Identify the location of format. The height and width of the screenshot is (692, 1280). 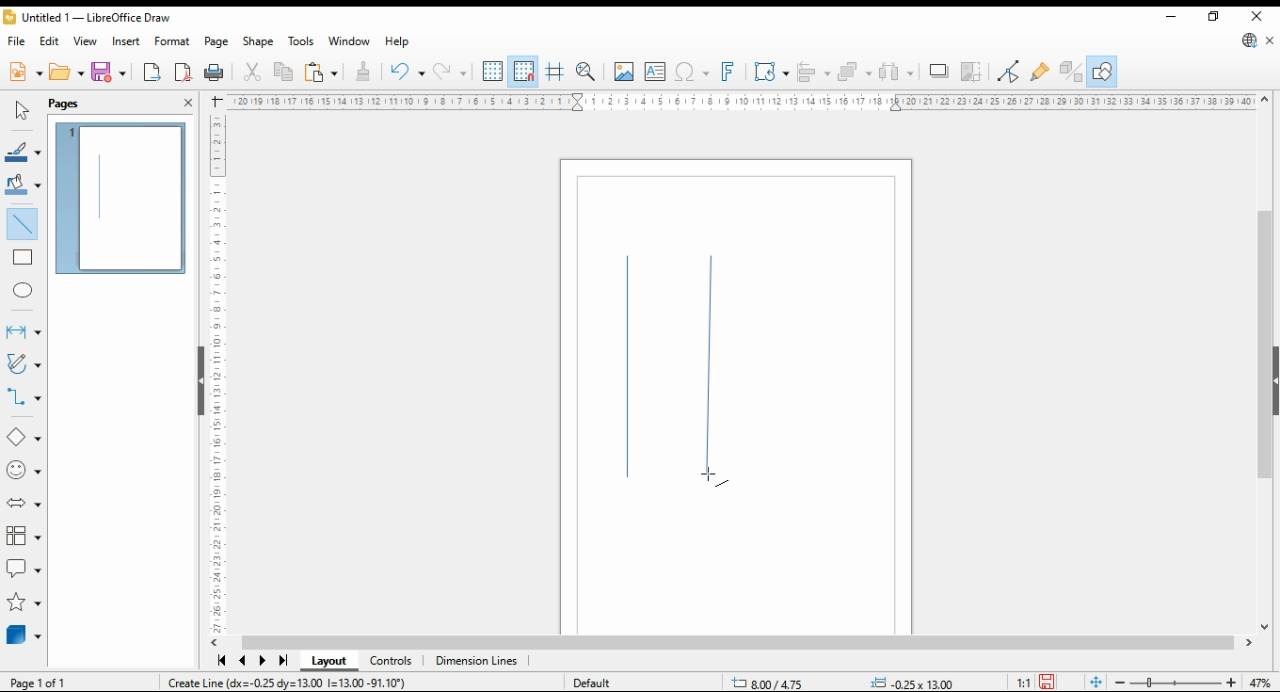
(172, 40).